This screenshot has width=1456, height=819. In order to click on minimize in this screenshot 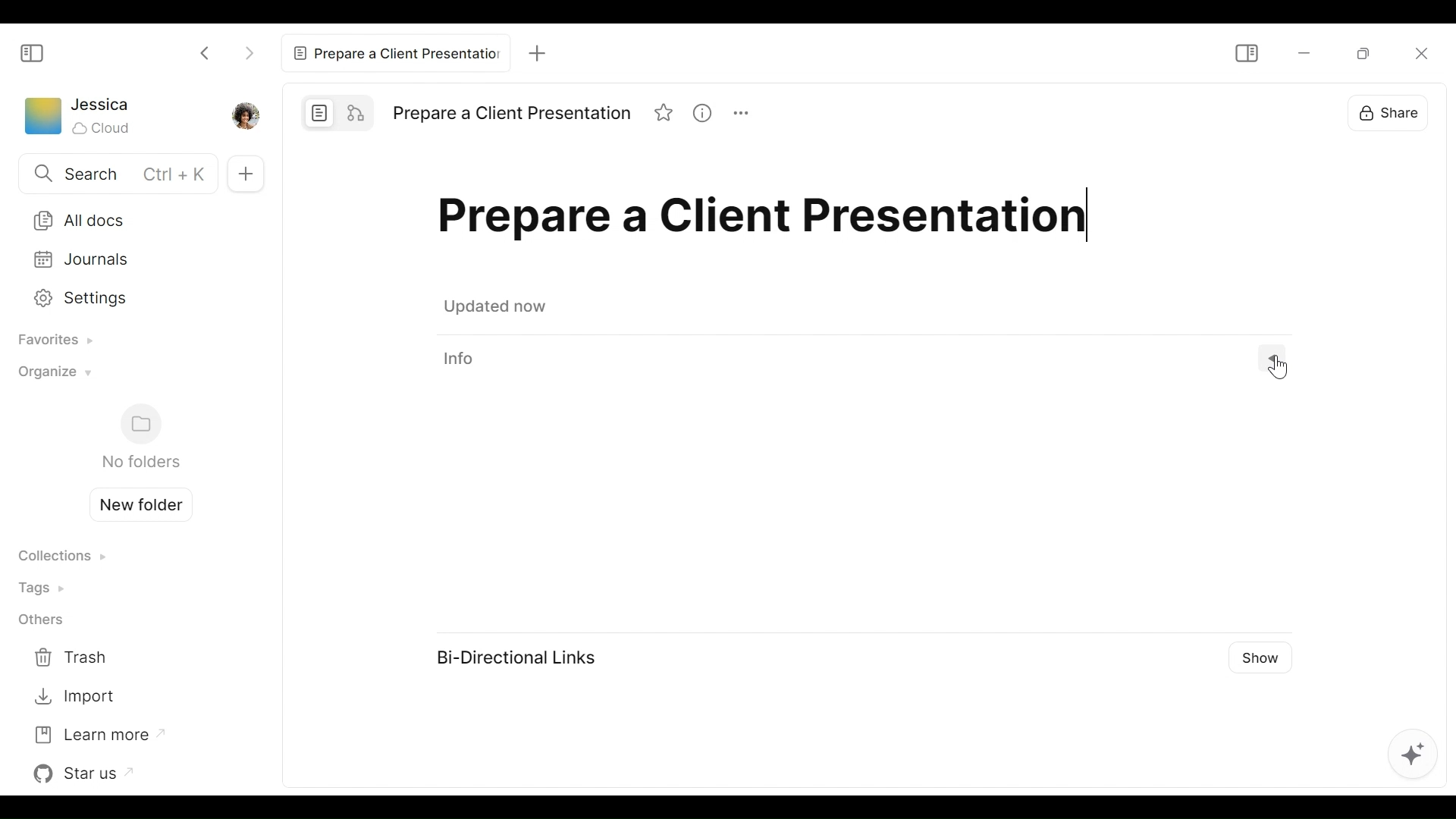, I will do `click(1302, 54)`.